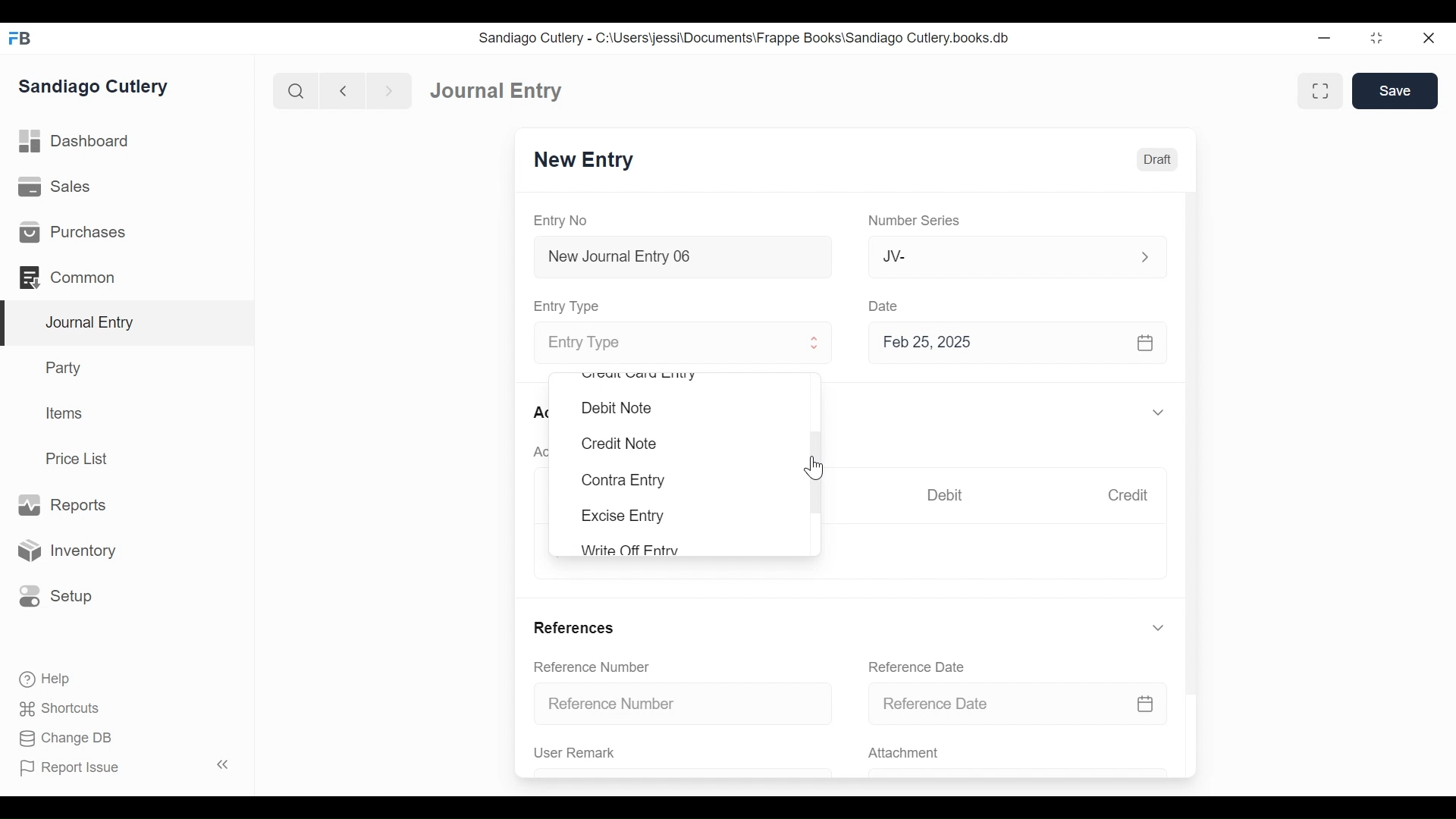 The width and height of the screenshot is (1456, 819). I want to click on Save, so click(1395, 90).